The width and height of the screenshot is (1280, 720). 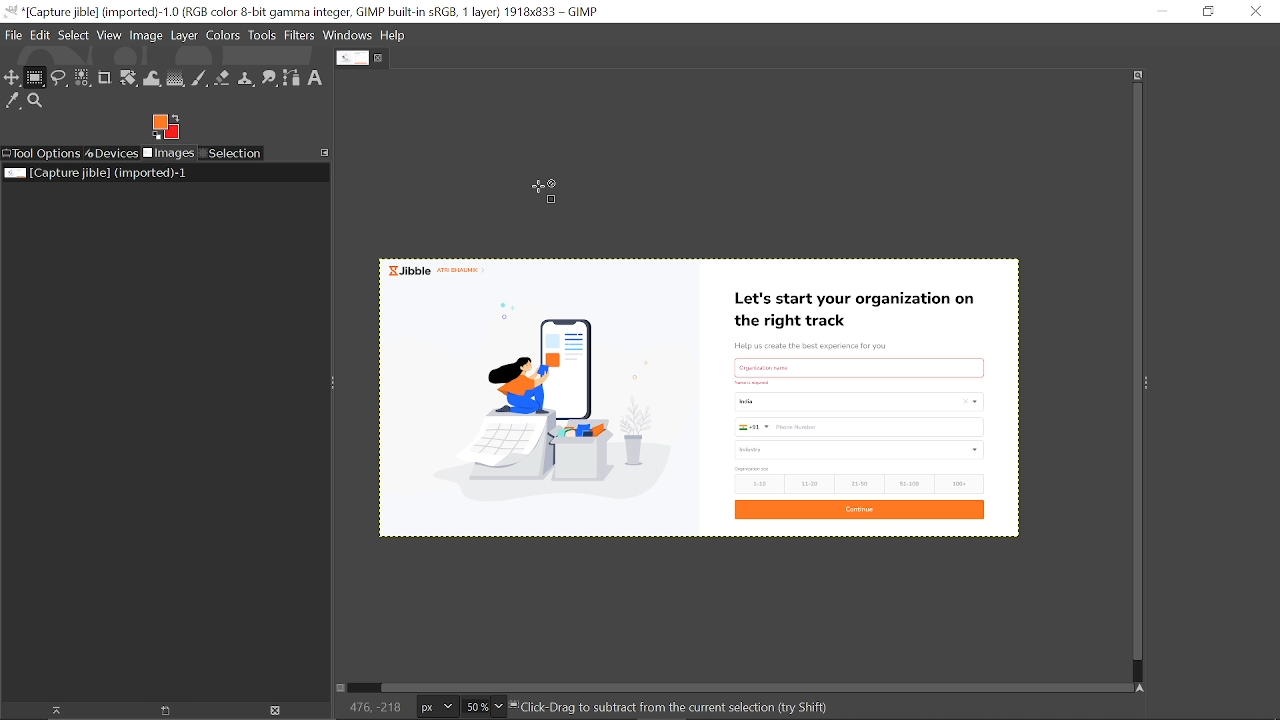 I want to click on Move tool, so click(x=13, y=79).